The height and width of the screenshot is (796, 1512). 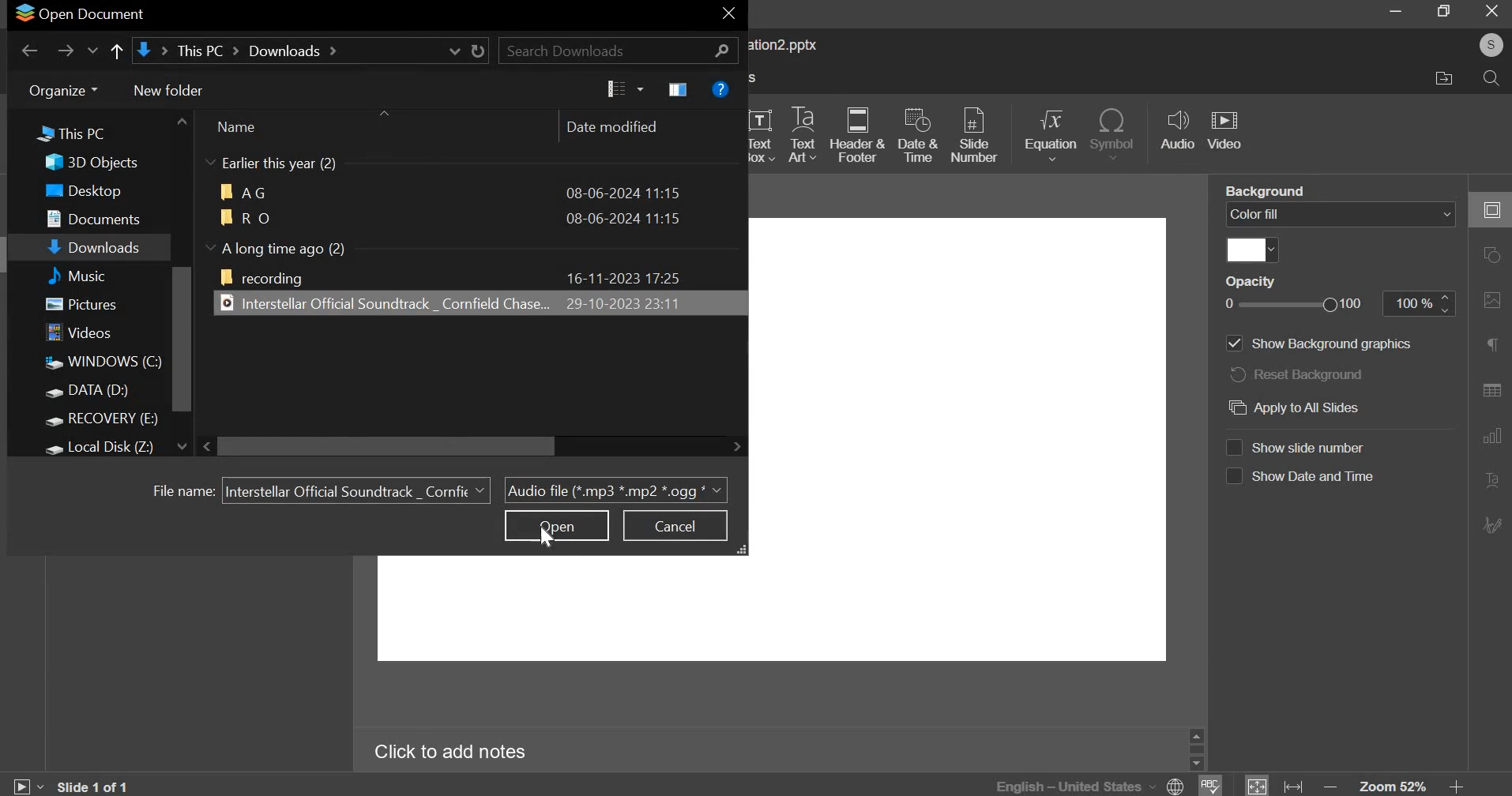 I want to click on creation date, so click(x=622, y=277).